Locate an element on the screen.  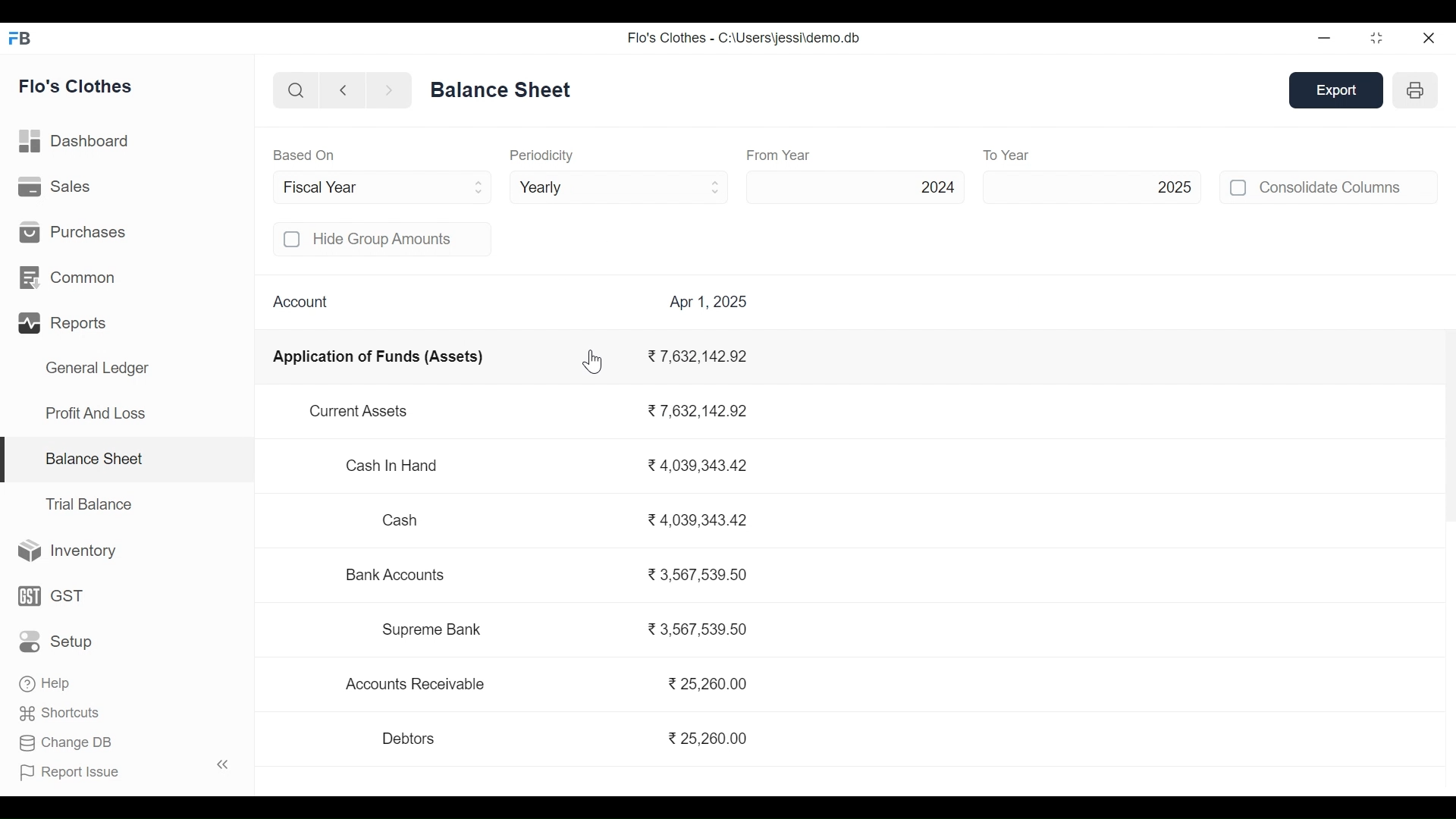
2025 is located at coordinates (1092, 186).